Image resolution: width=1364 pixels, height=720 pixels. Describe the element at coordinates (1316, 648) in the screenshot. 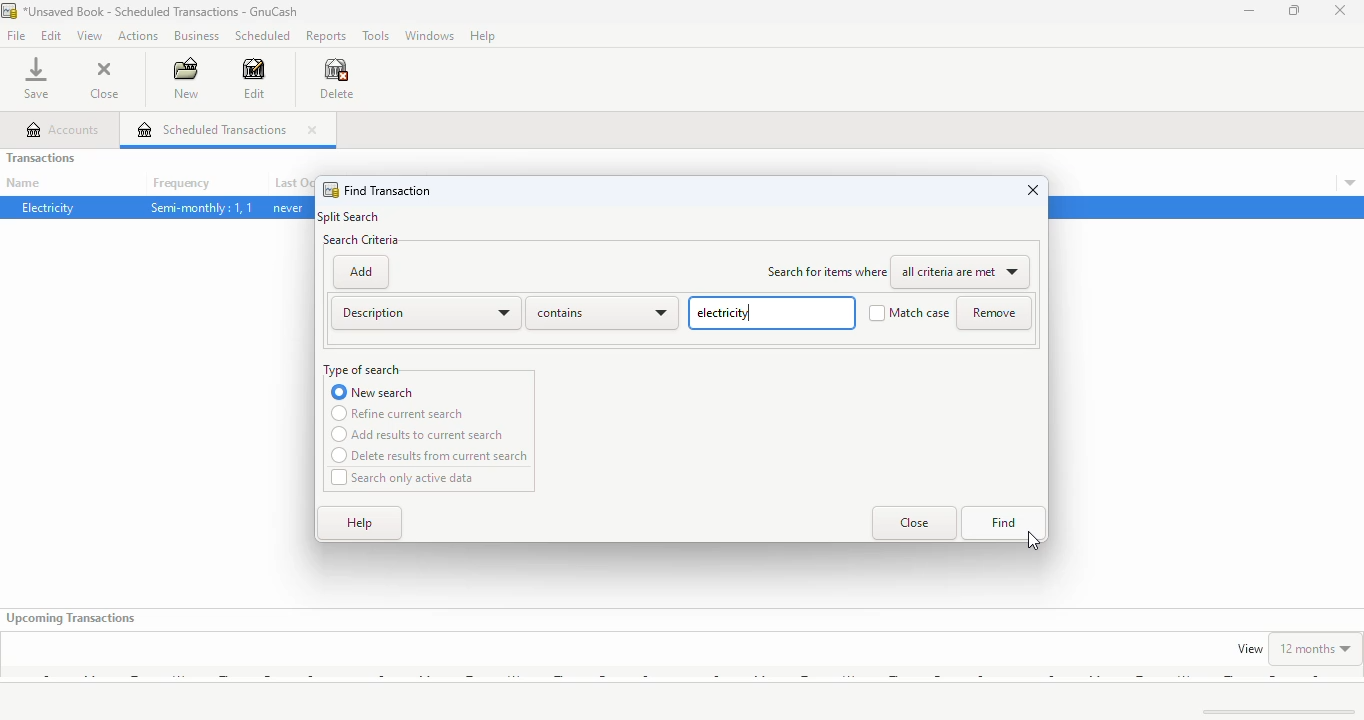

I see `12 months` at that location.